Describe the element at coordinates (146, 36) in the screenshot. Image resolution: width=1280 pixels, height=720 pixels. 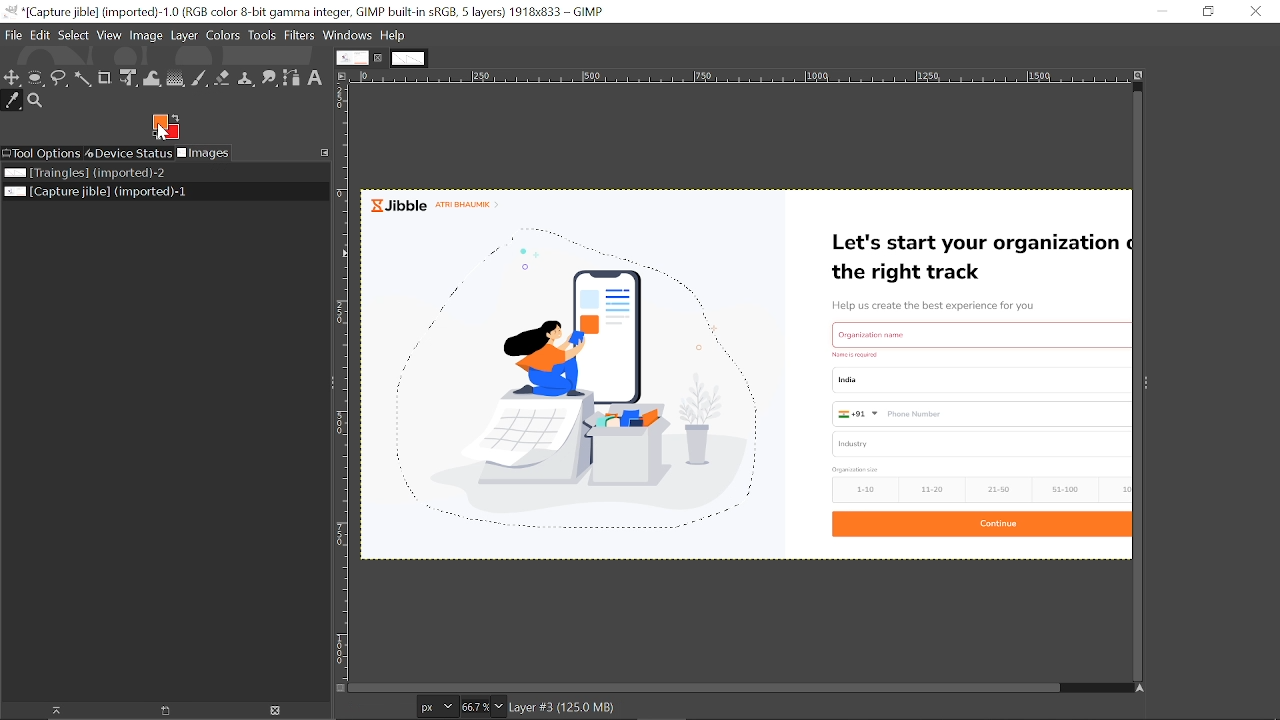
I see `Image` at that location.